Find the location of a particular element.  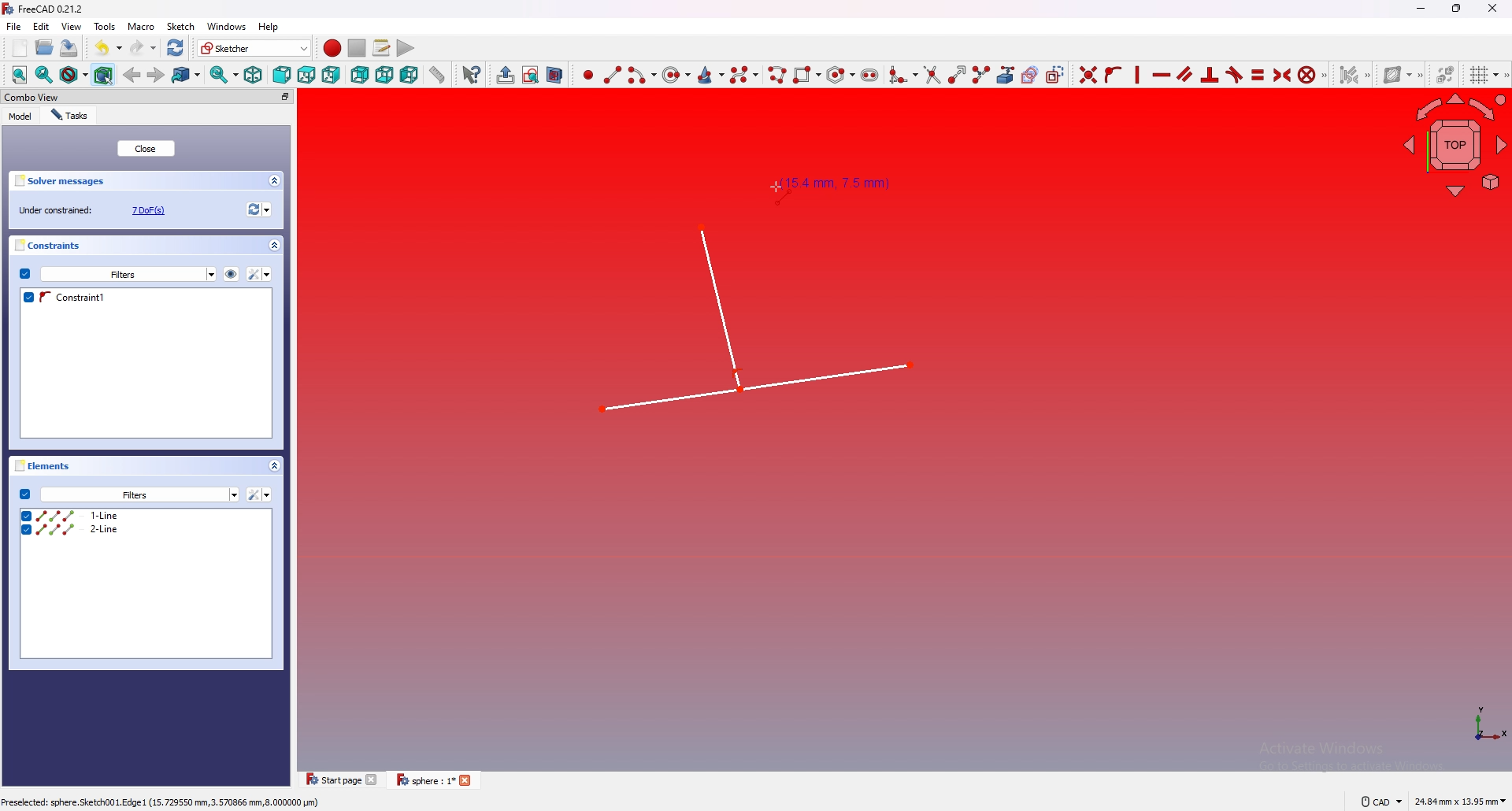

Close is located at coordinates (147, 149).